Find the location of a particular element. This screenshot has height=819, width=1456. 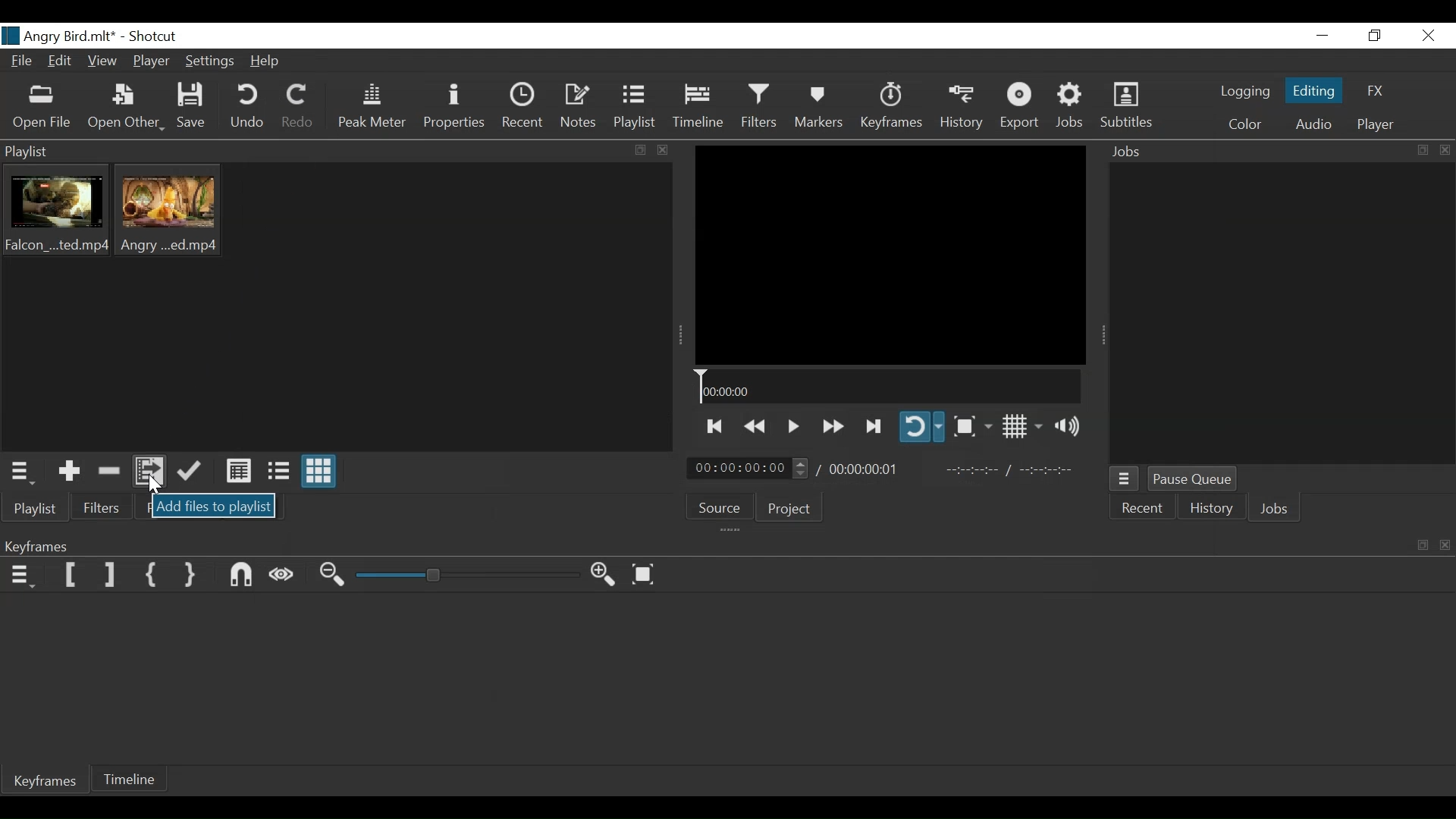

Total Duration is located at coordinates (867, 471).